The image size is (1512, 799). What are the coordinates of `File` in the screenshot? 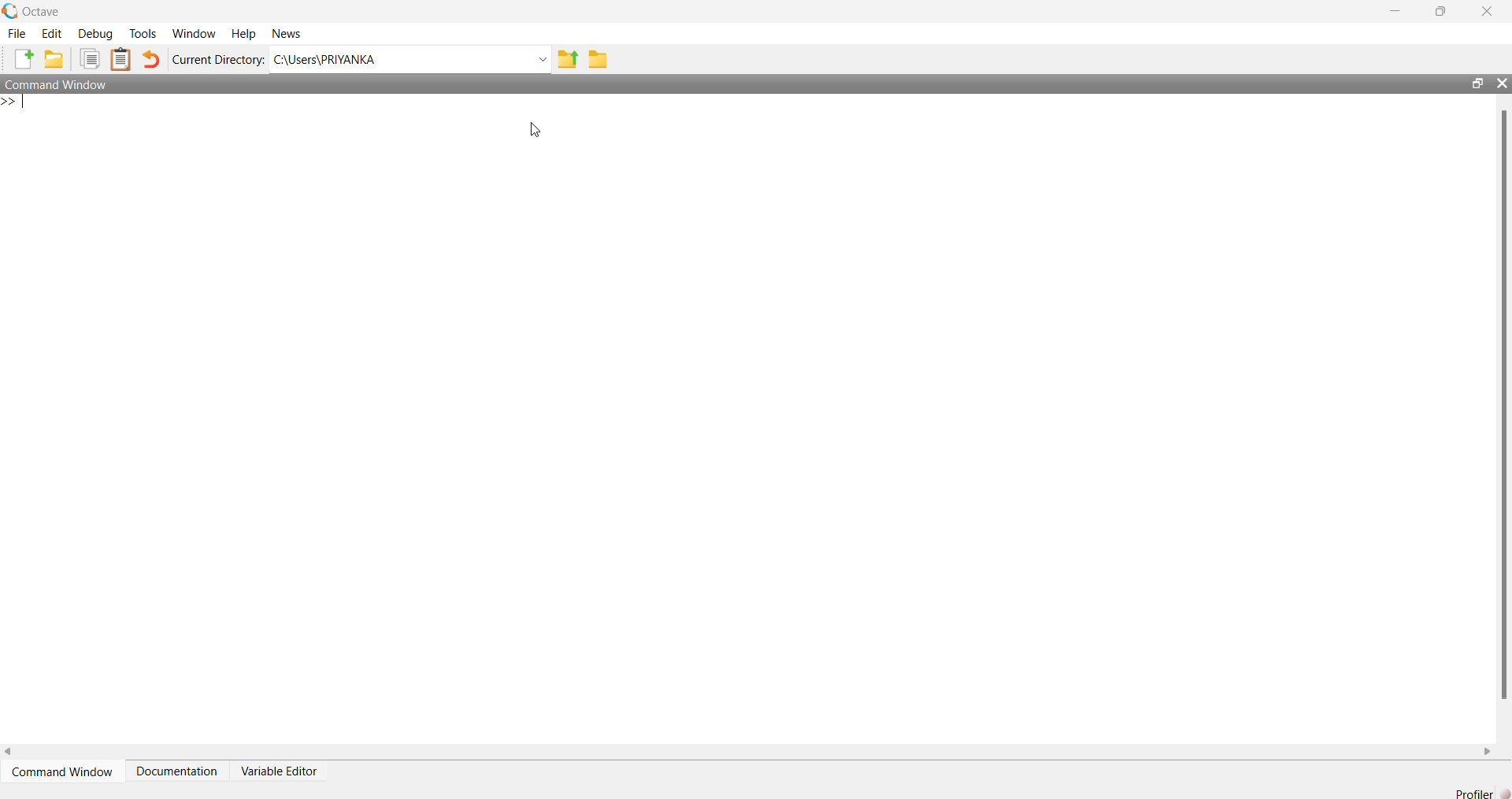 It's located at (18, 34).